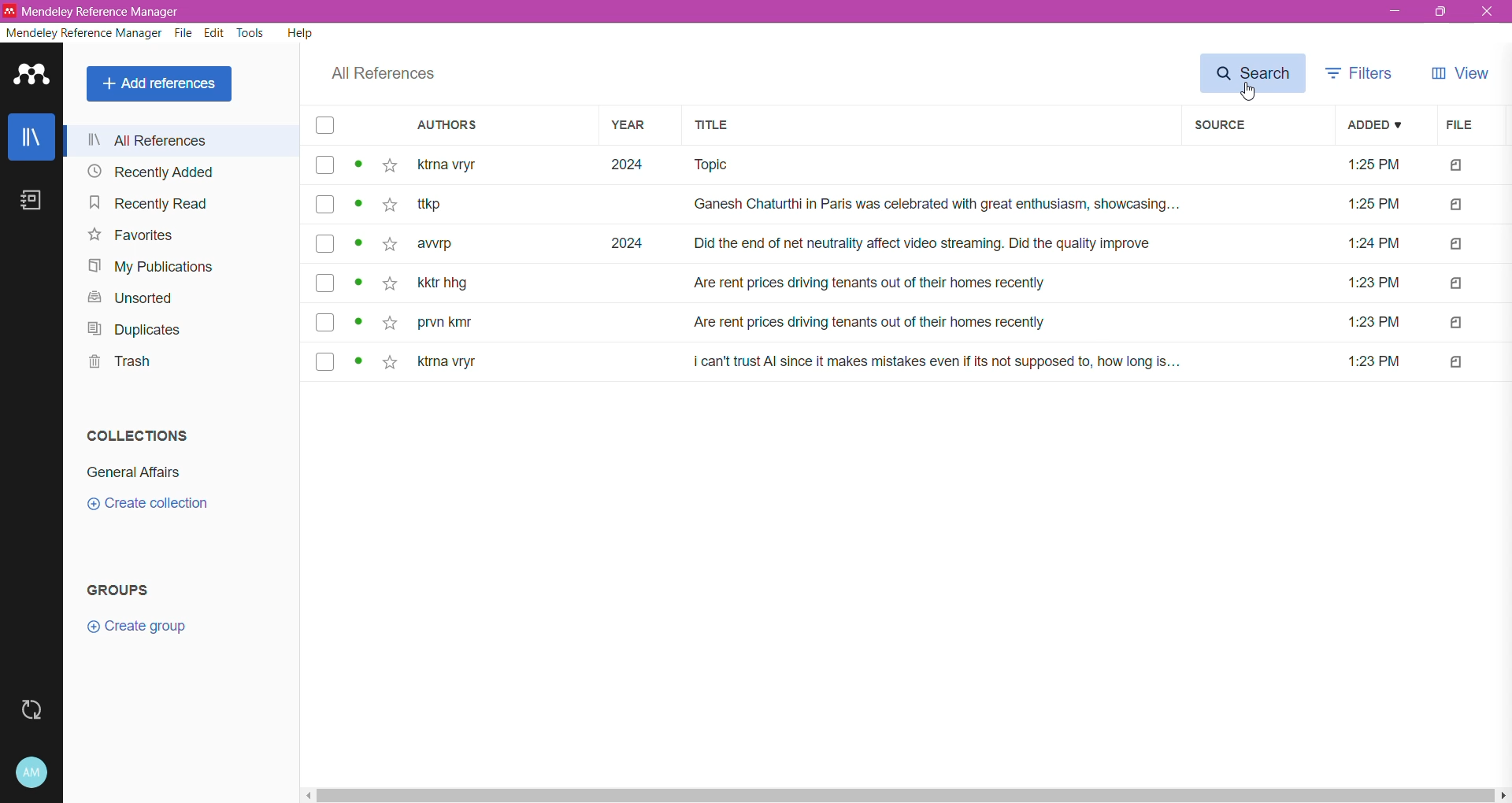 The height and width of the screenshot is (803, 1512). Describe the element at coordinates (1457, 244) in the screenshot. I see `file type` at that location.